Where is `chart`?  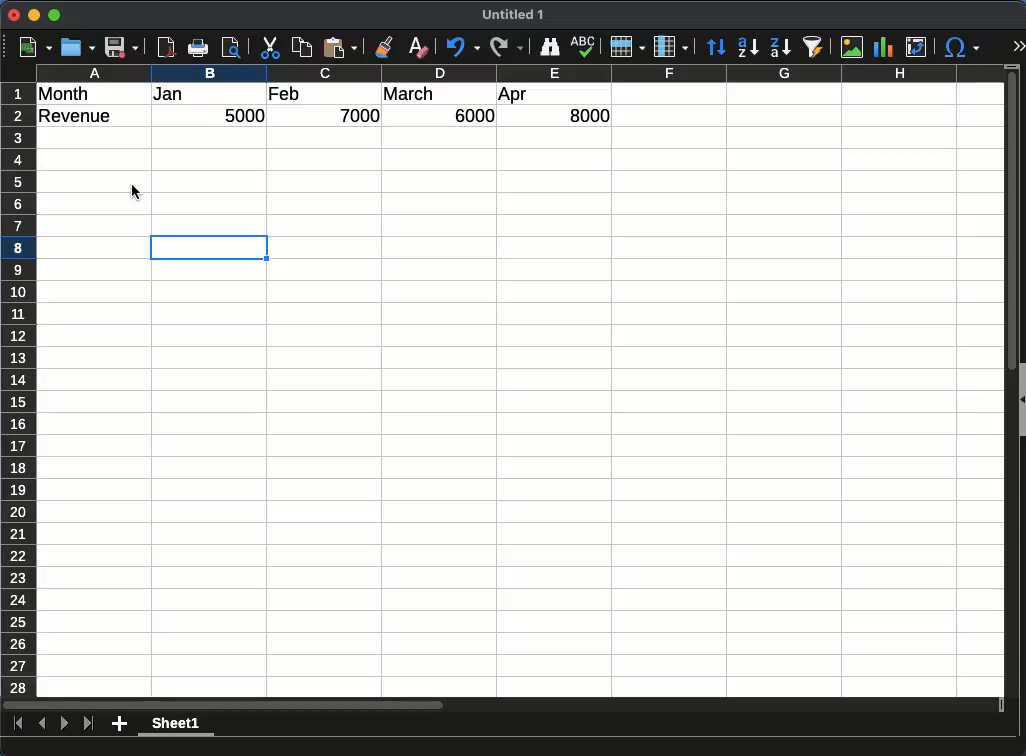
chart is located at coordinates (883, 47).